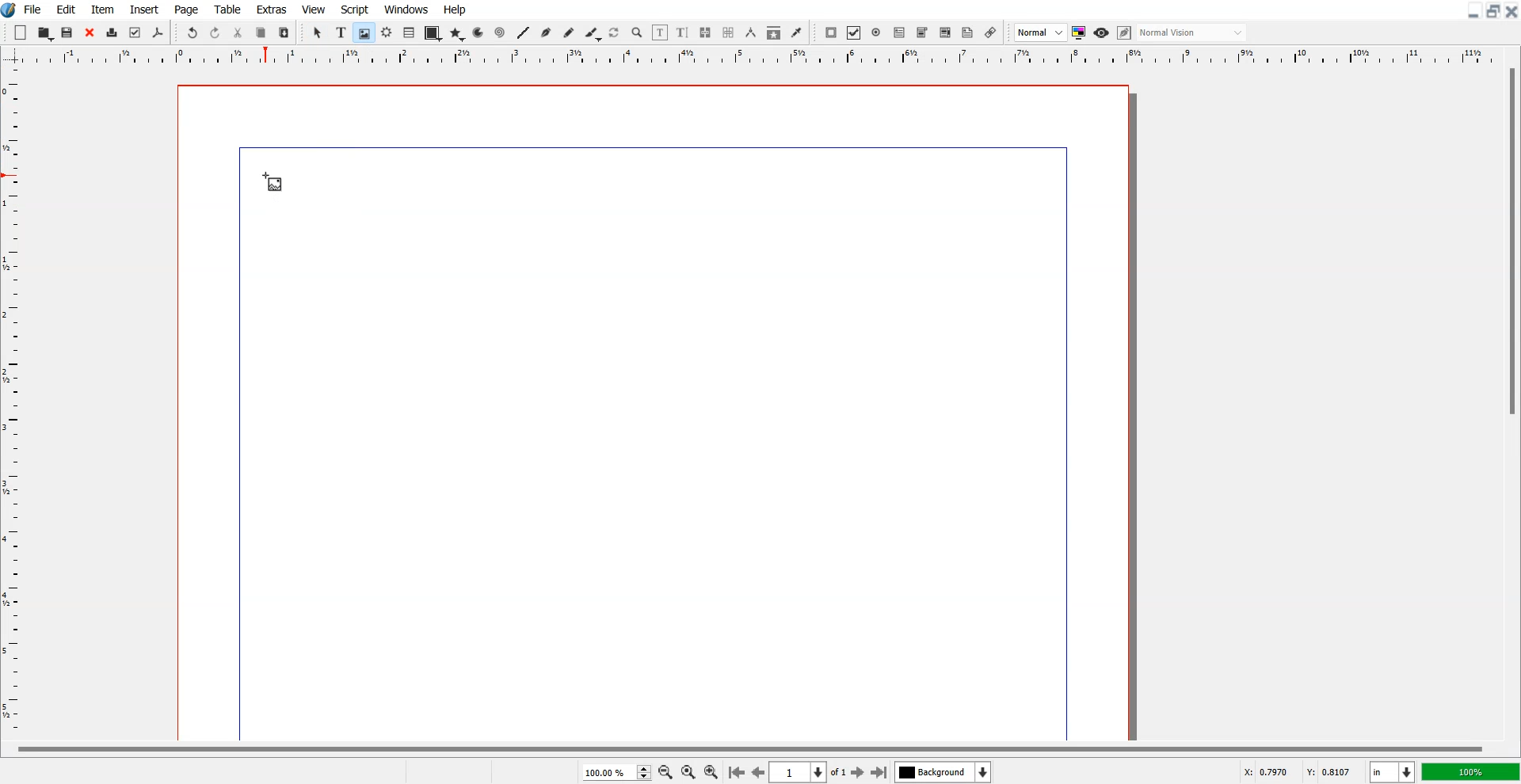 The width and height of the screenshot is (1521, 784). I want to click on Open, so click(45, 32).